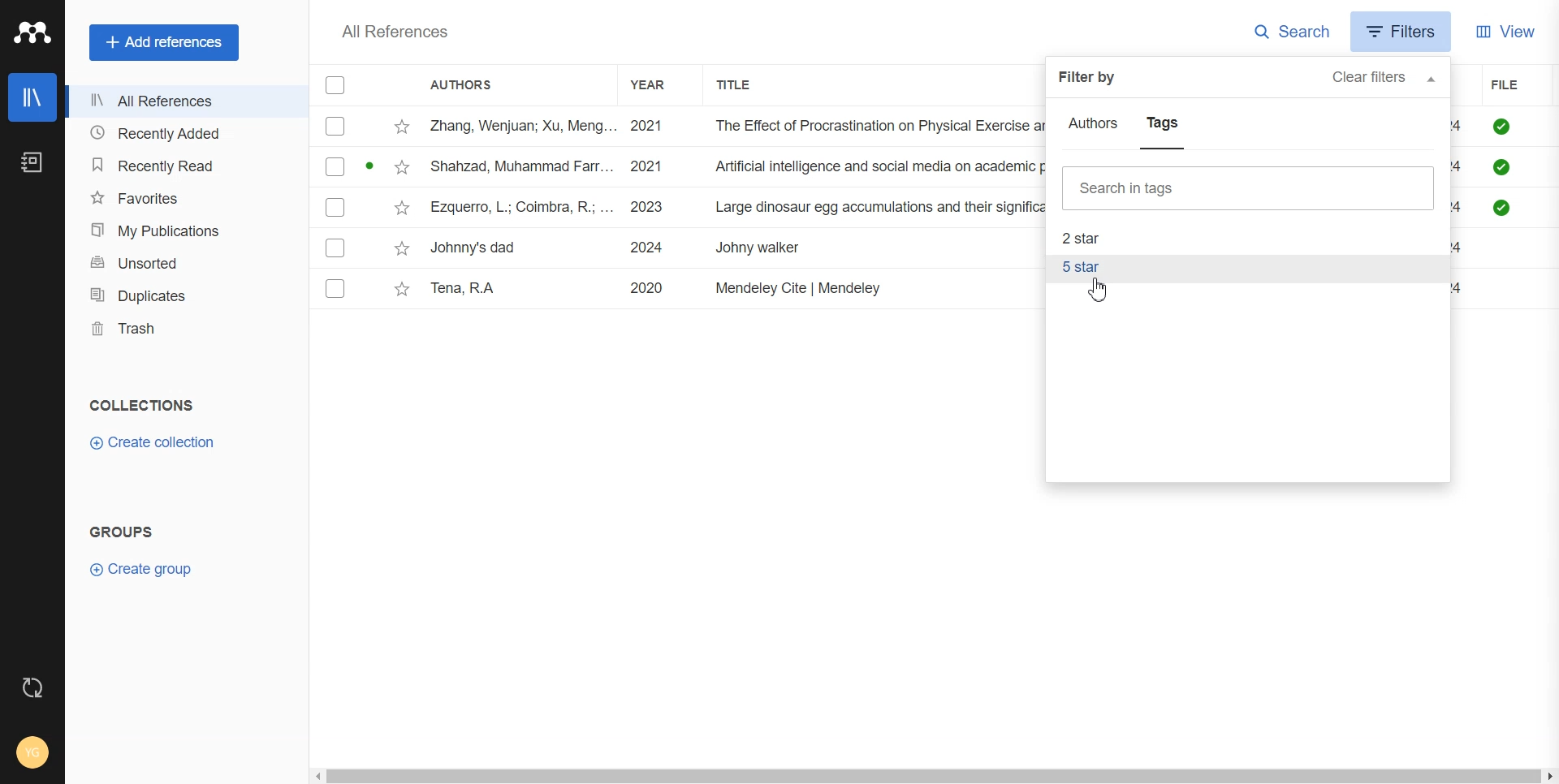 Image resolution: width=1559 pixels, height=784 pixels. Describe the element at coordinates (673, 126) in the screenshot. I see `File` at that location.